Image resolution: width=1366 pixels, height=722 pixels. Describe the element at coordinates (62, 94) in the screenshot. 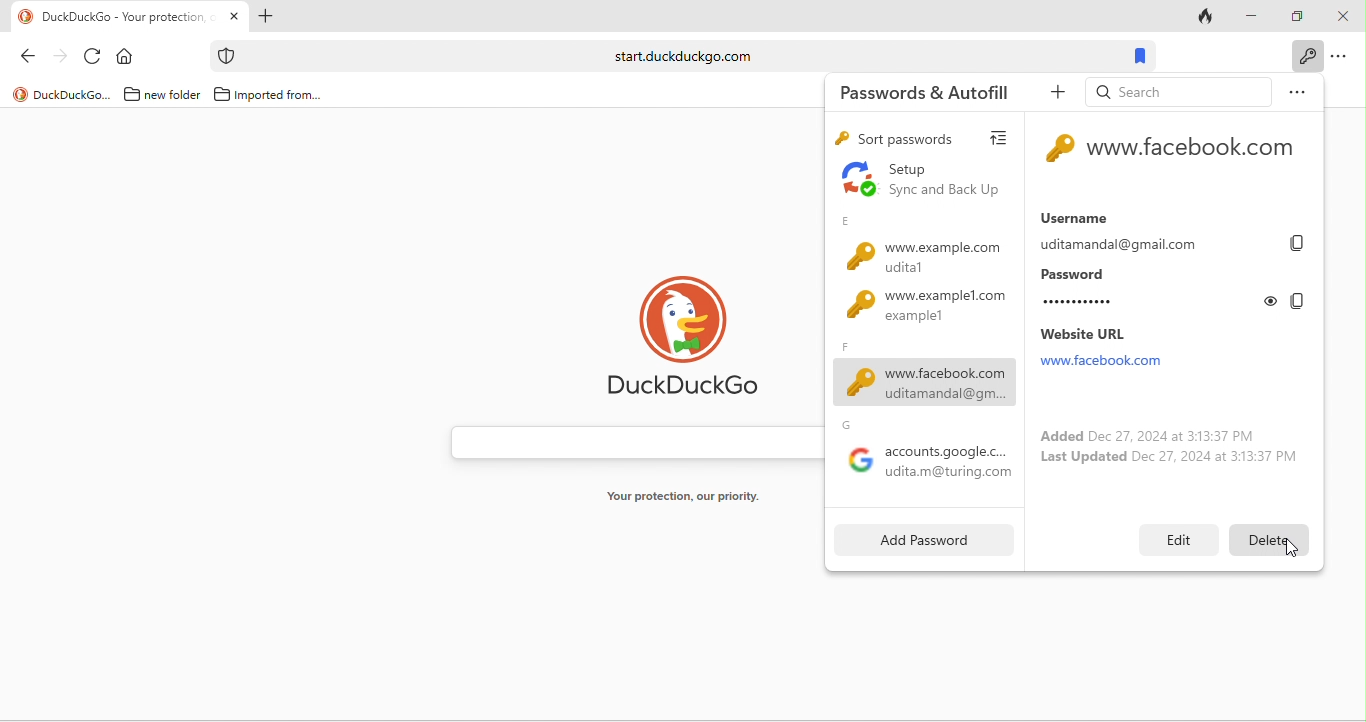

I see `duckduckgo...` at that location.